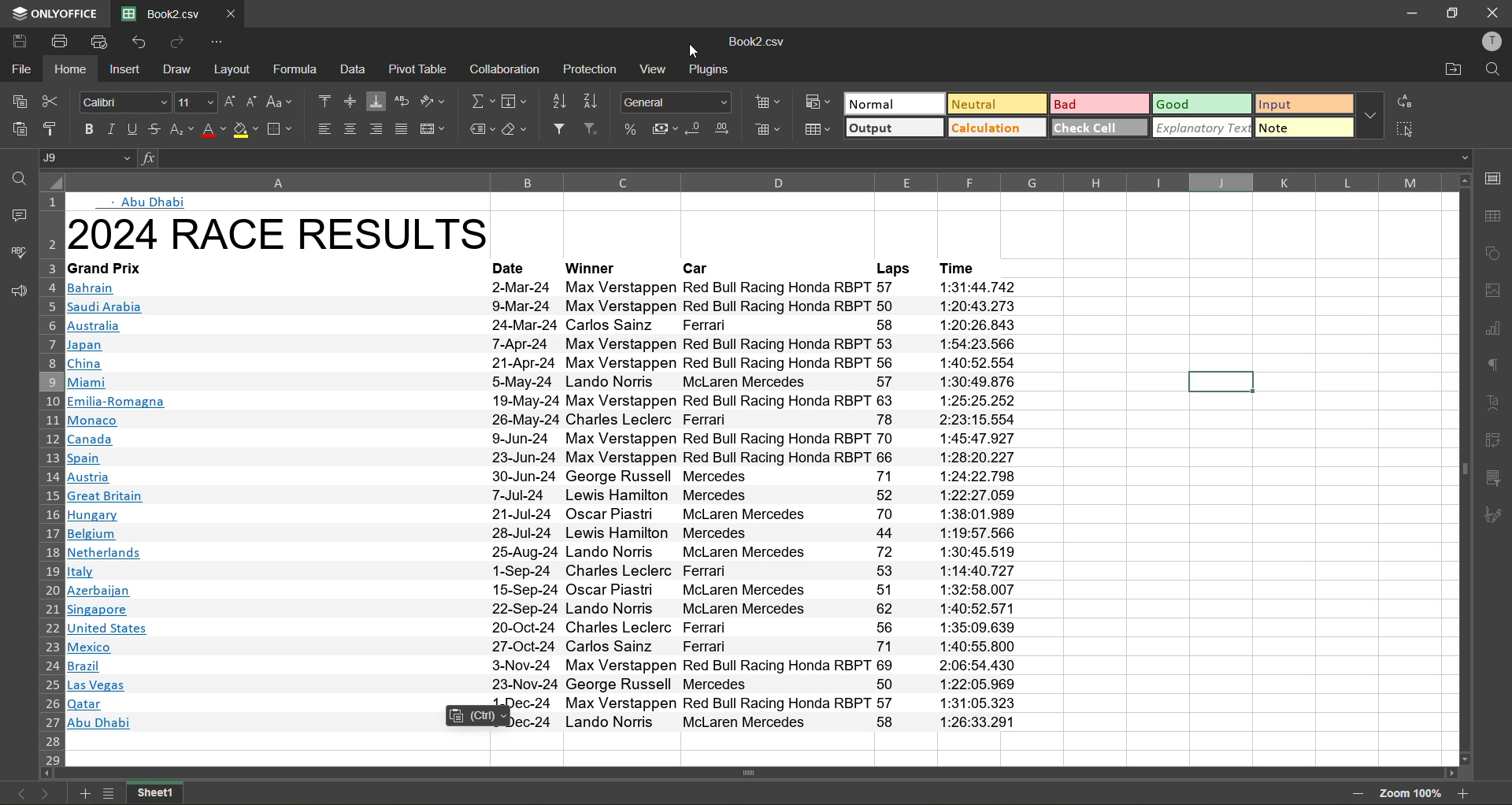 The width and height of the screenshot is (1512, 805). I want to click on view, so click(654, 71).